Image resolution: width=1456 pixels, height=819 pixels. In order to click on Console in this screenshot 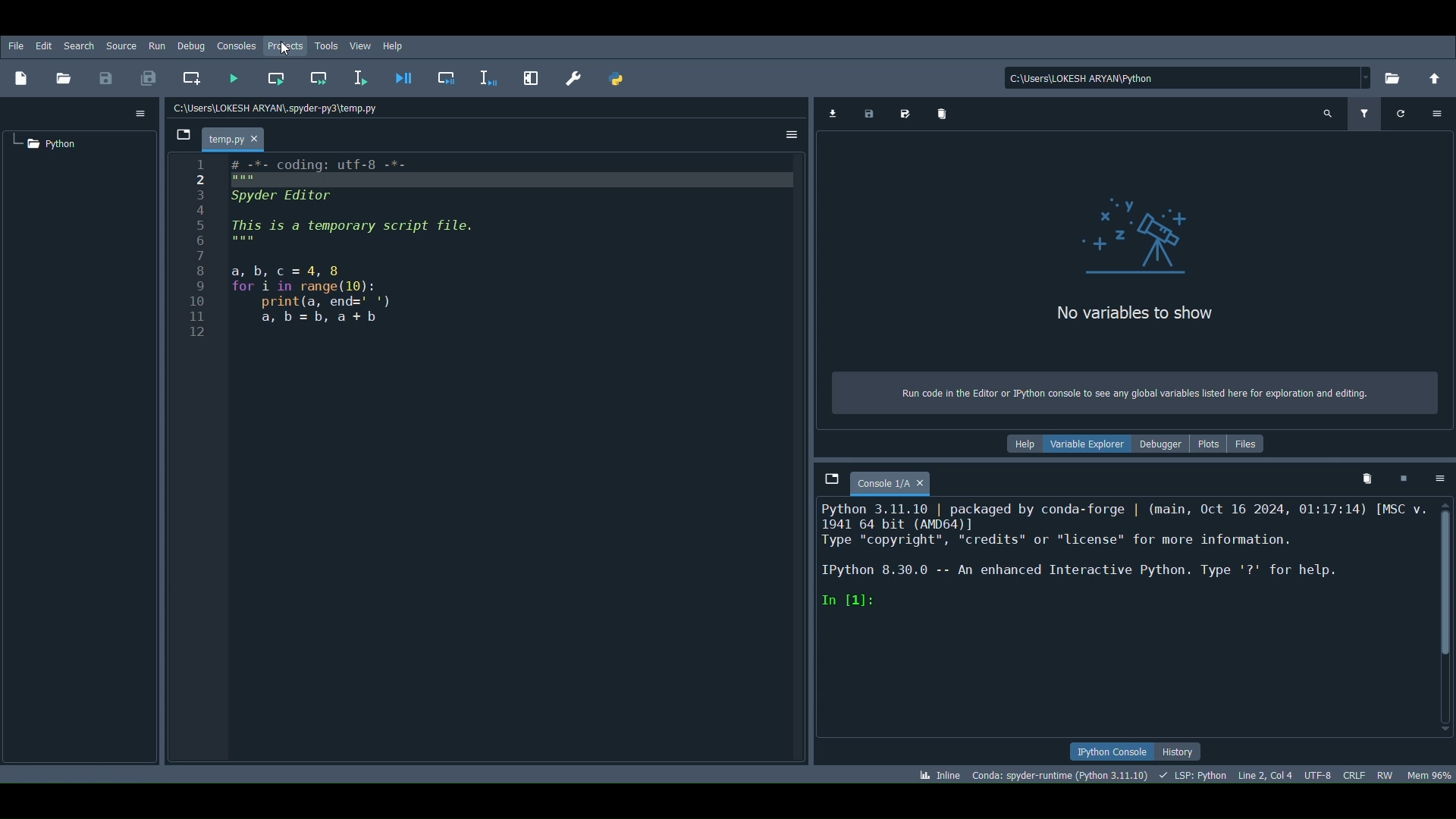, I will do `click(1121, 618)`.